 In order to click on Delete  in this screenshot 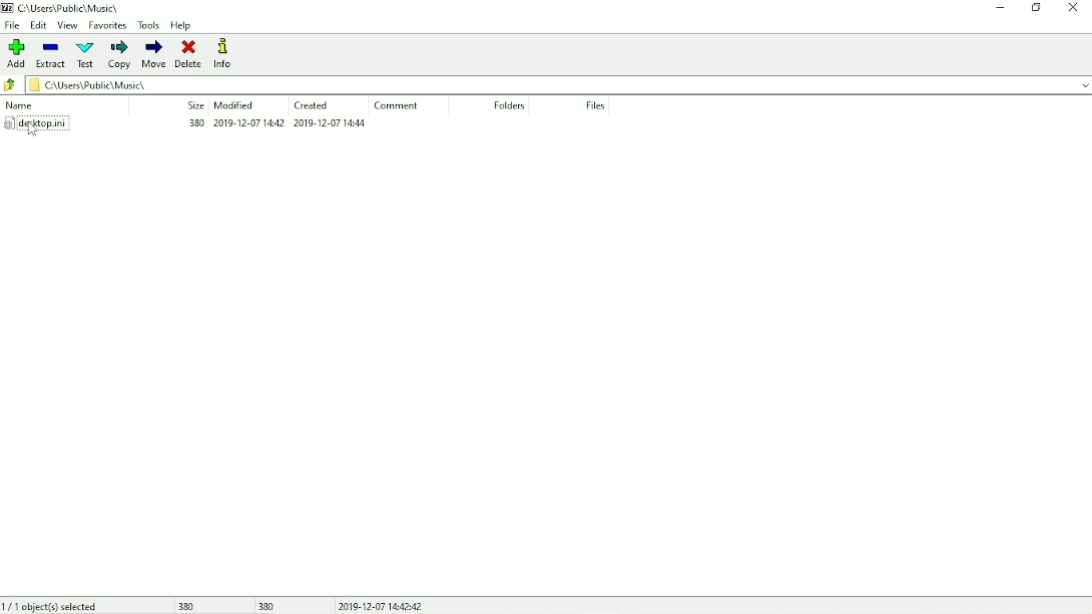, I will do `click(190, 54)`.